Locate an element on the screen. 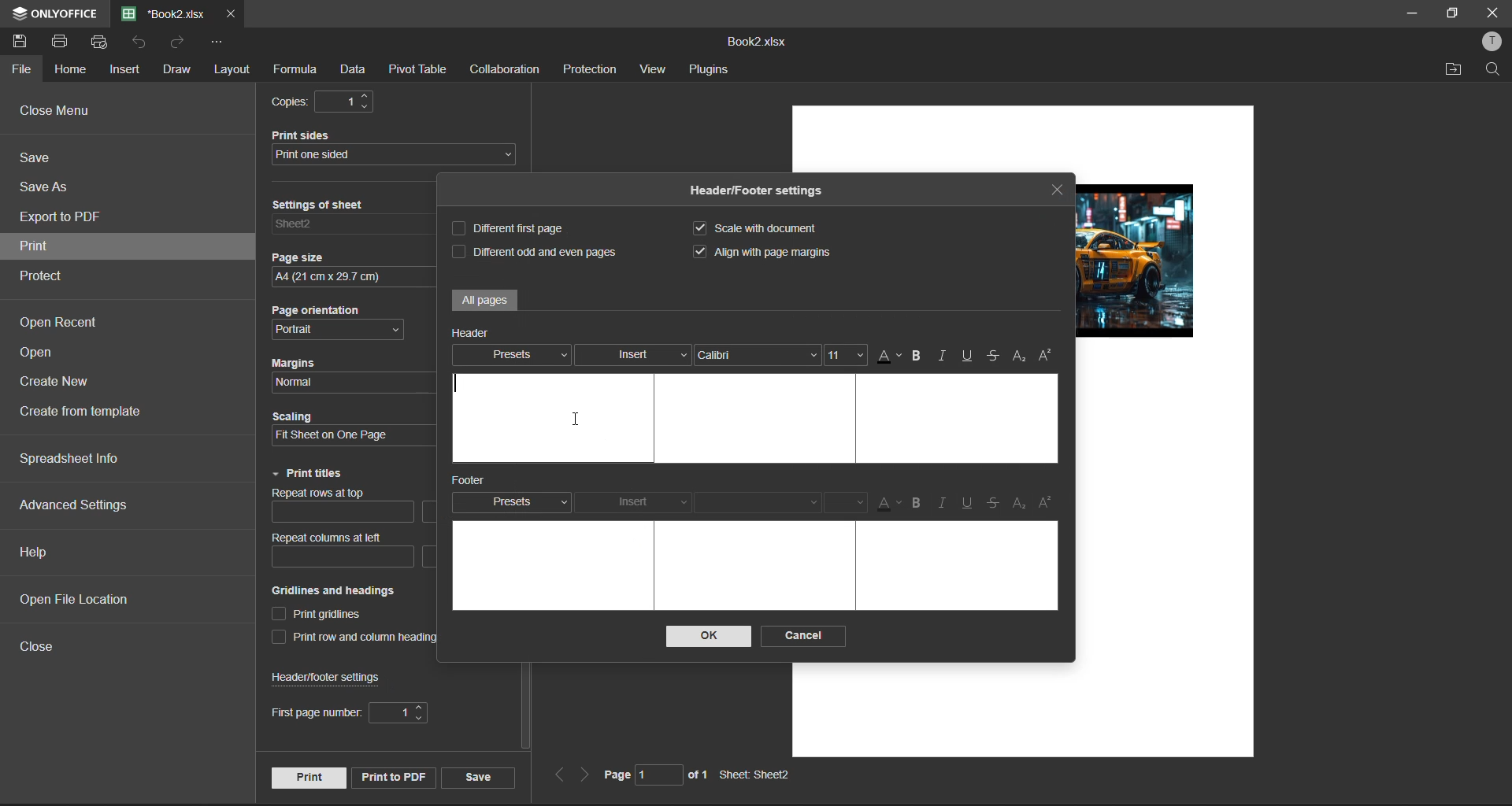  save as is located at coordinates (47, 187).